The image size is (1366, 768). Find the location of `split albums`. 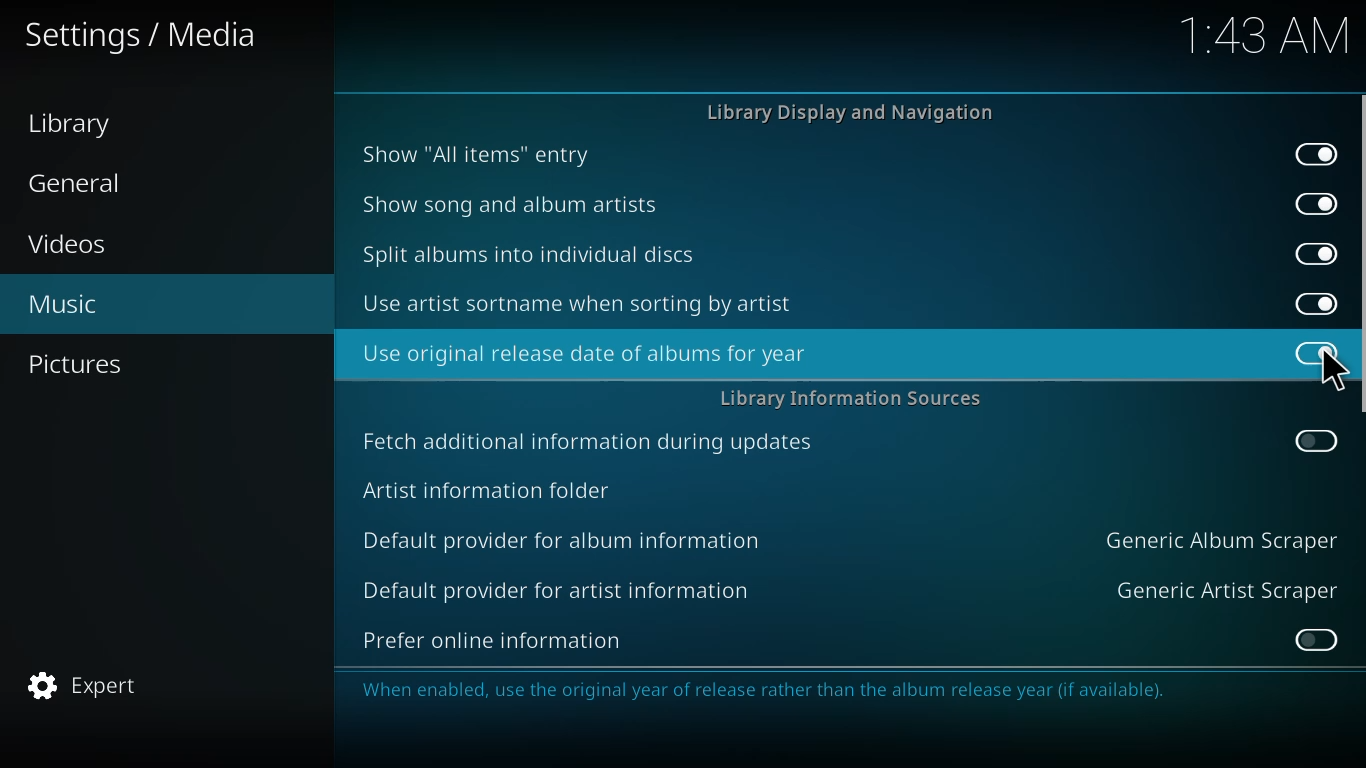

split albums is located at coordinates (530, 255).